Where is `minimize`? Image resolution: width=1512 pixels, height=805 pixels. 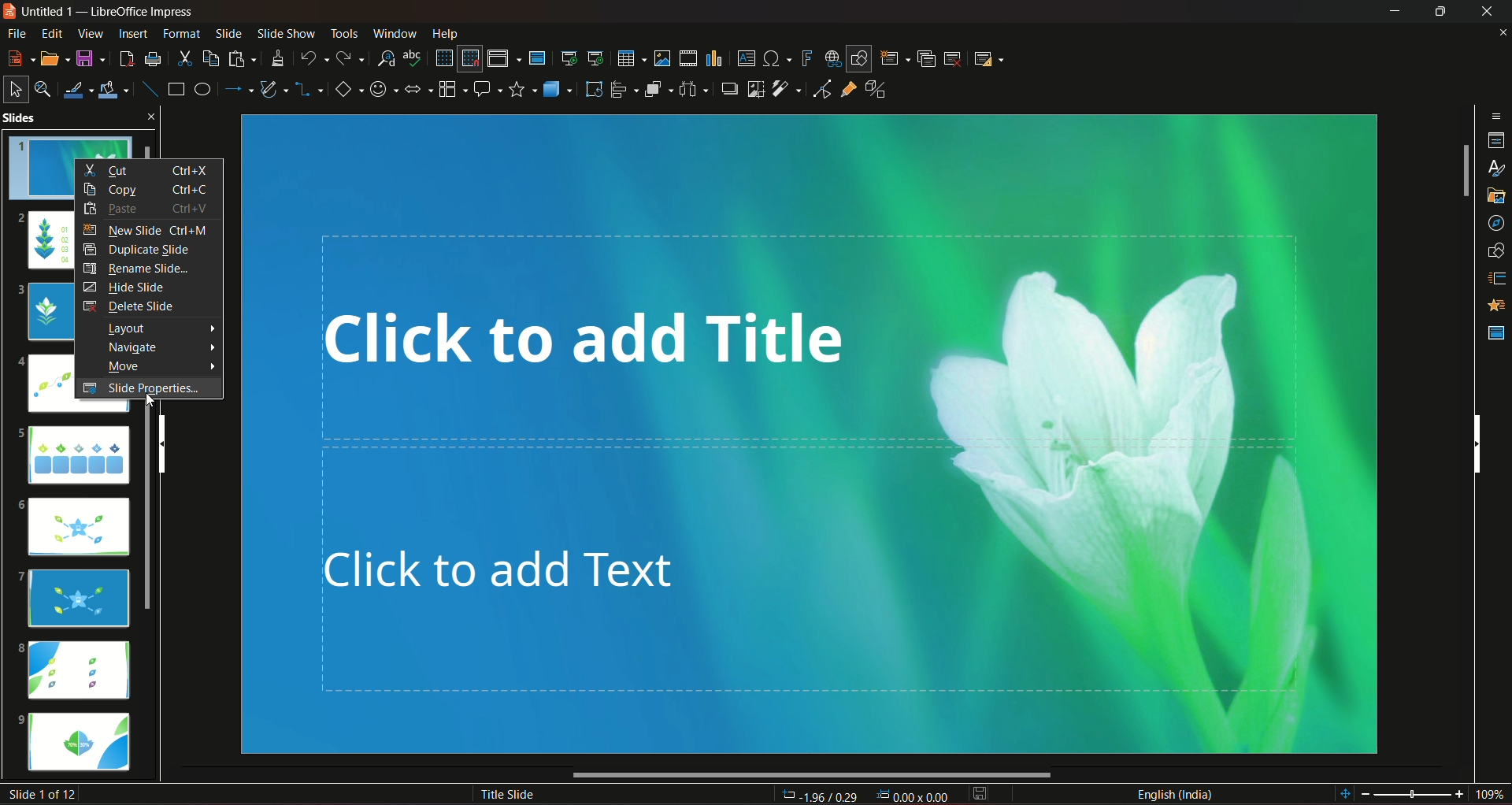
minimize is located at coordinates (1392, 13).